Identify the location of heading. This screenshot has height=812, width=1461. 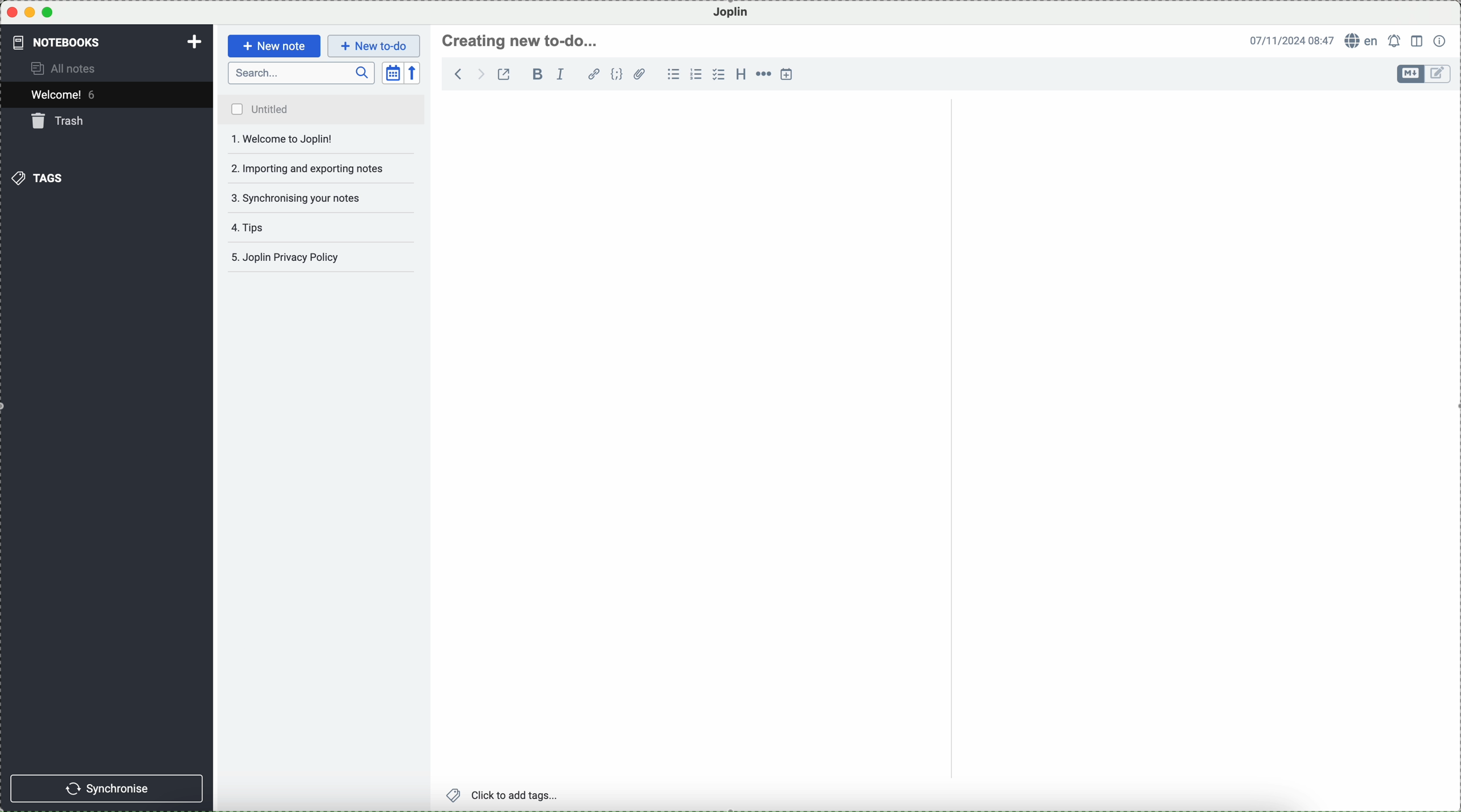
(741, 73).